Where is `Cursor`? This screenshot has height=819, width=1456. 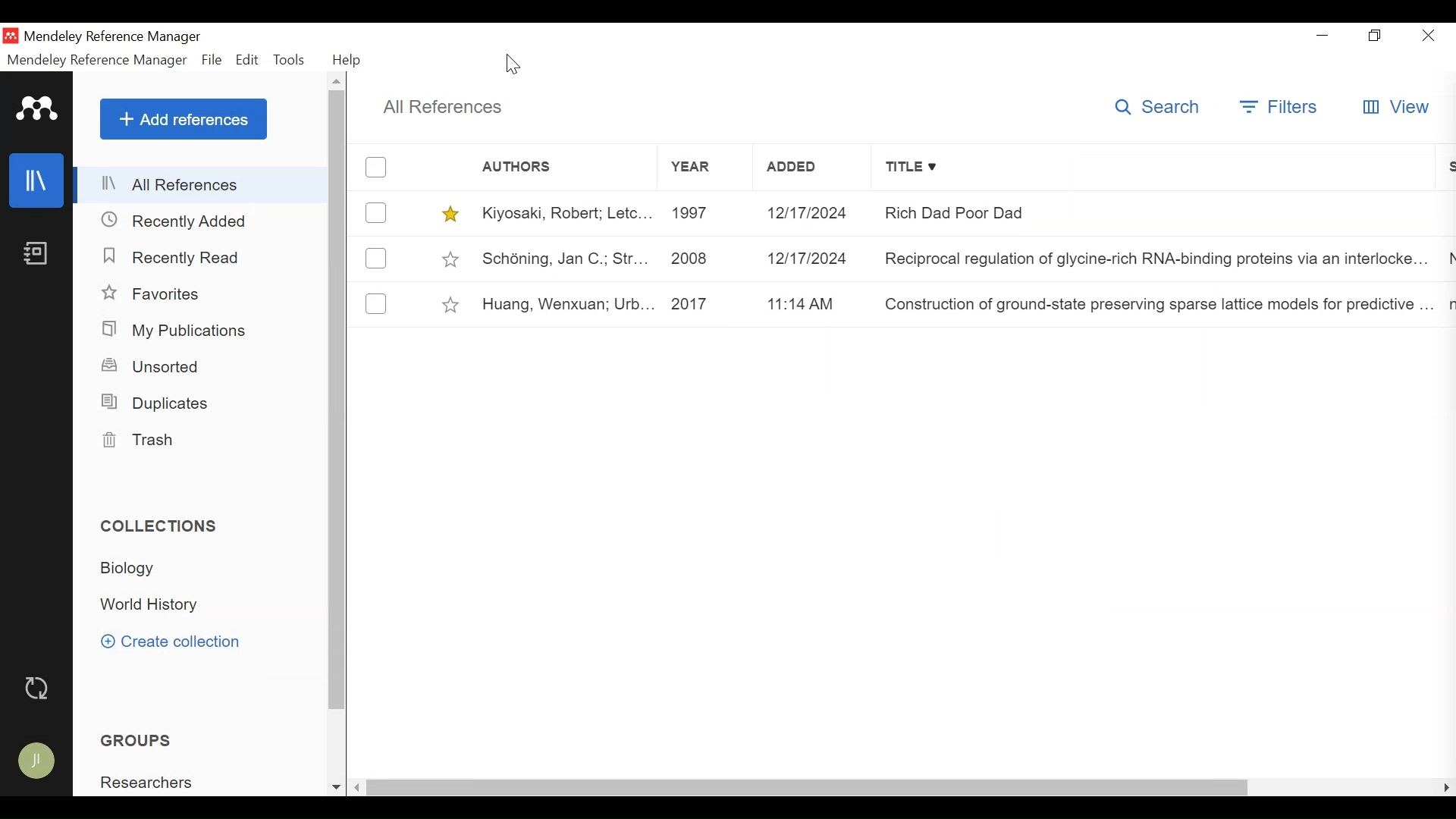
Cursor is located at coordinates (516, 64).